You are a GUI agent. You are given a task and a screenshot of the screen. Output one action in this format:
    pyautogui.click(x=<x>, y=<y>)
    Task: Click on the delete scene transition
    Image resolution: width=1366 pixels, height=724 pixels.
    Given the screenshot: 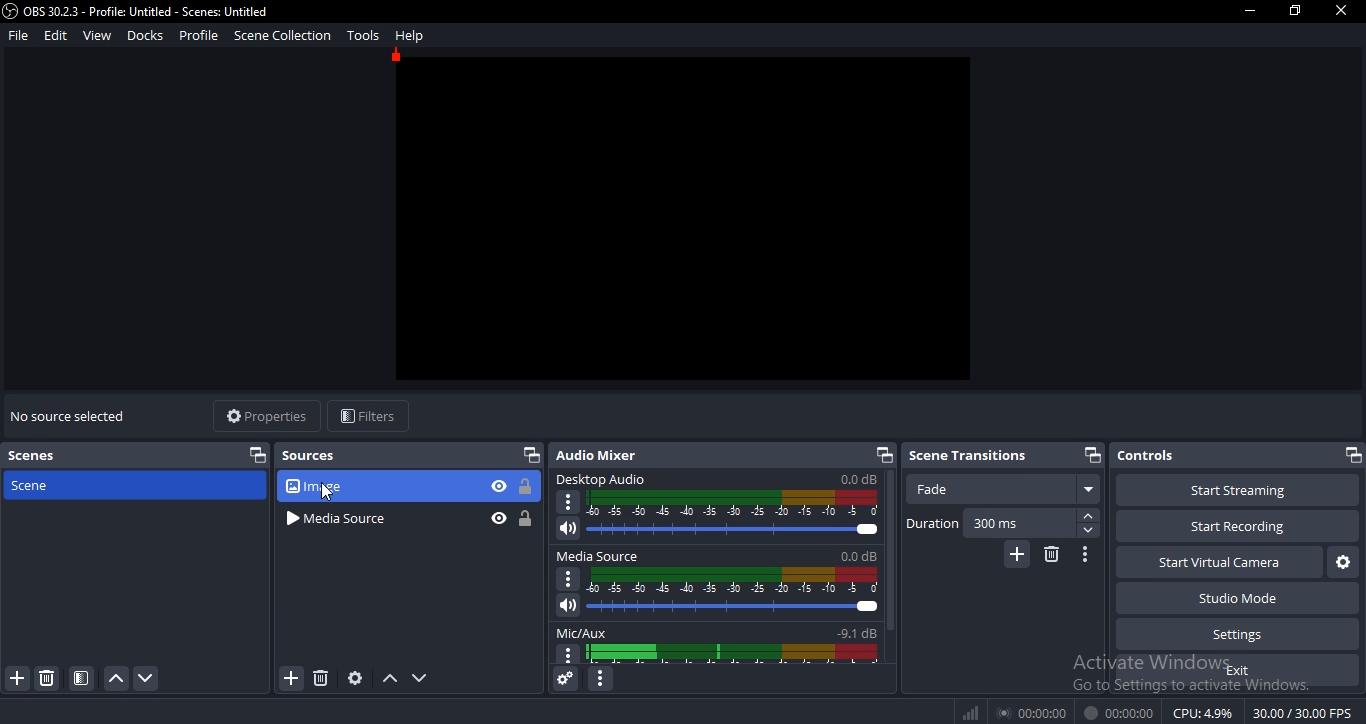 What is the action you would take?
    pyautogui.click(x=1049, y=555)
    